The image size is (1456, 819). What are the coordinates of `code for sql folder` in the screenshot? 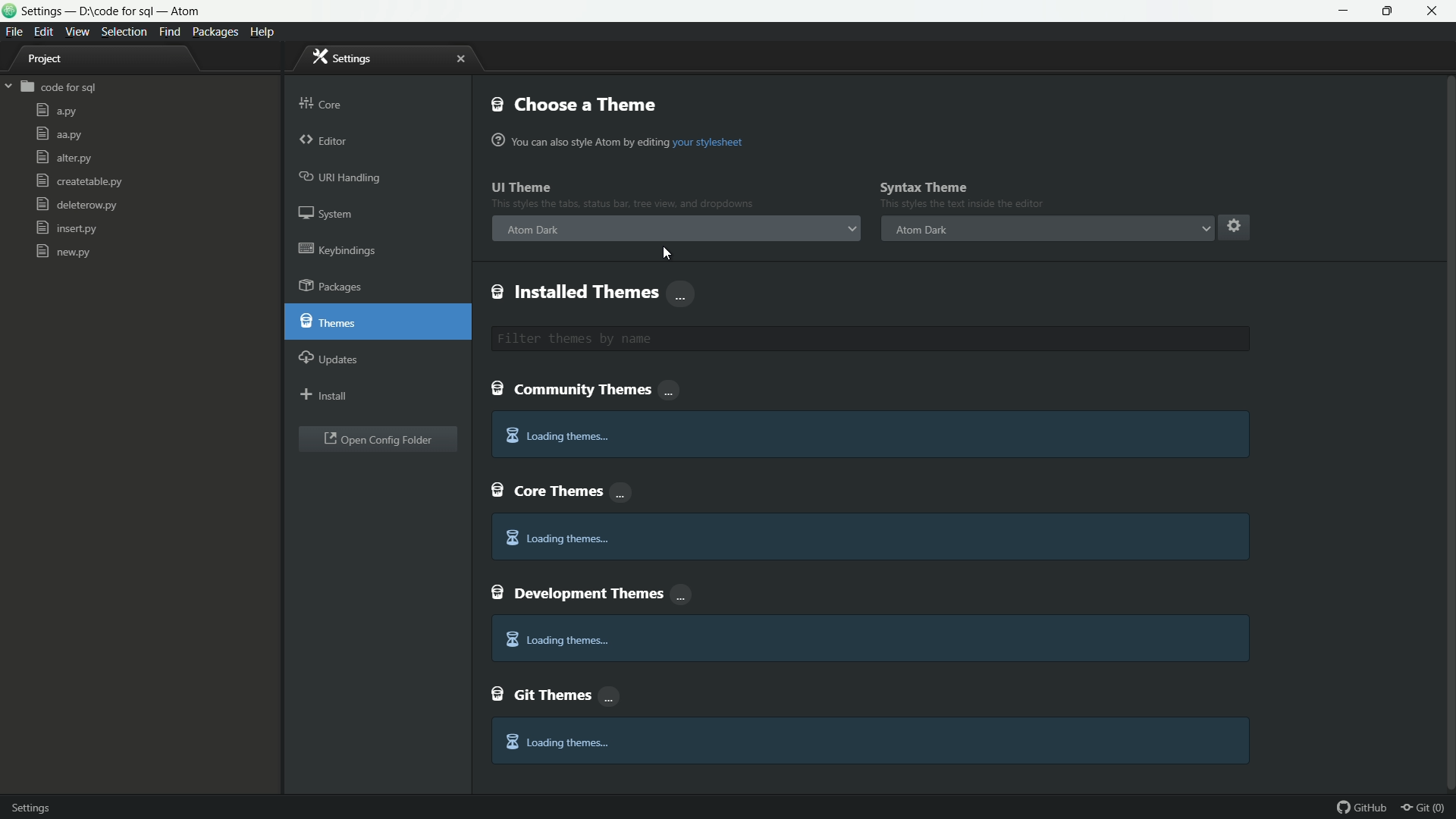 It's located at (50, 86).